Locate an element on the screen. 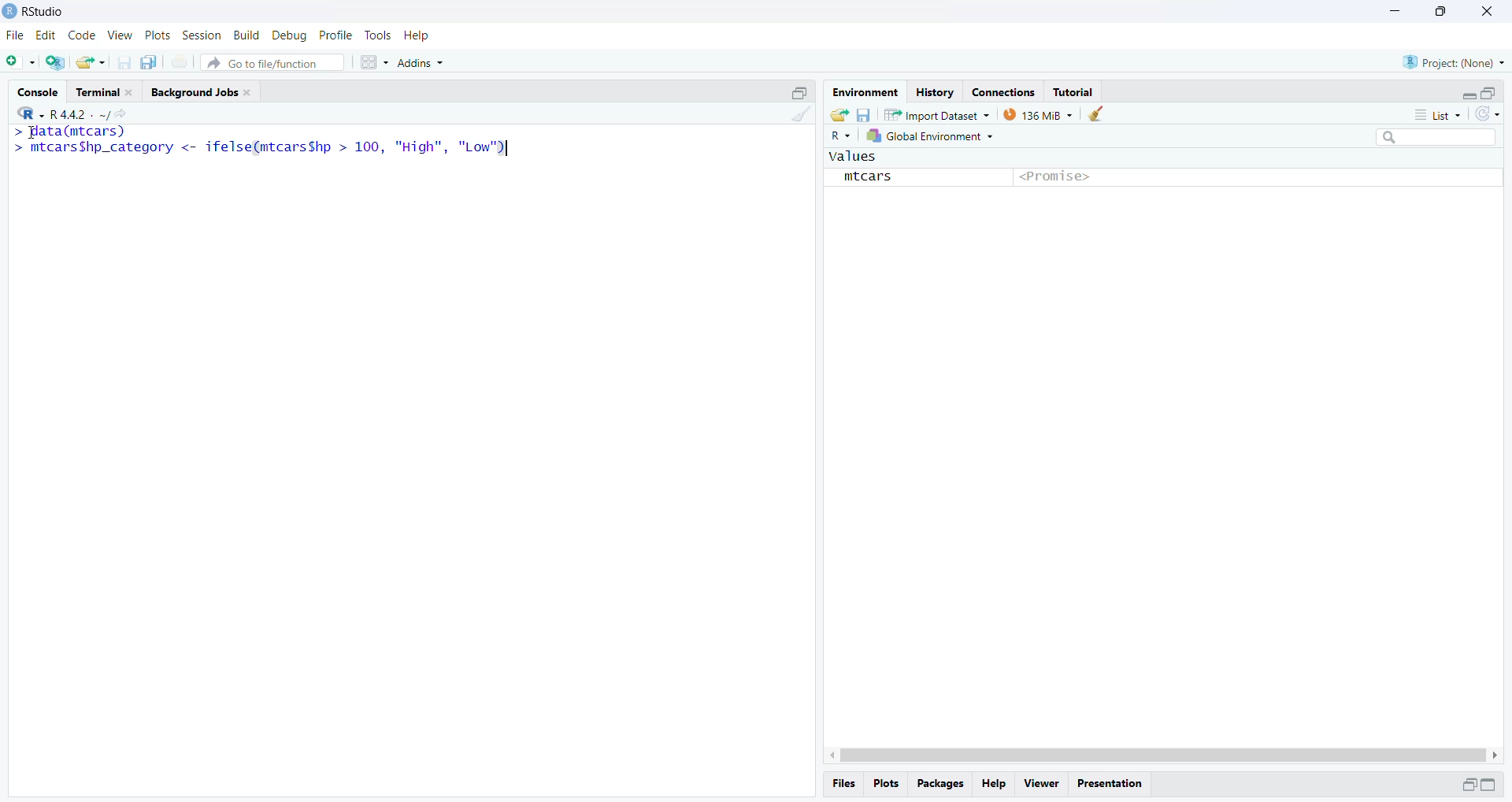 The width and height of the screenshot is (1512, 802). List is located at coordinates (1441, 115).